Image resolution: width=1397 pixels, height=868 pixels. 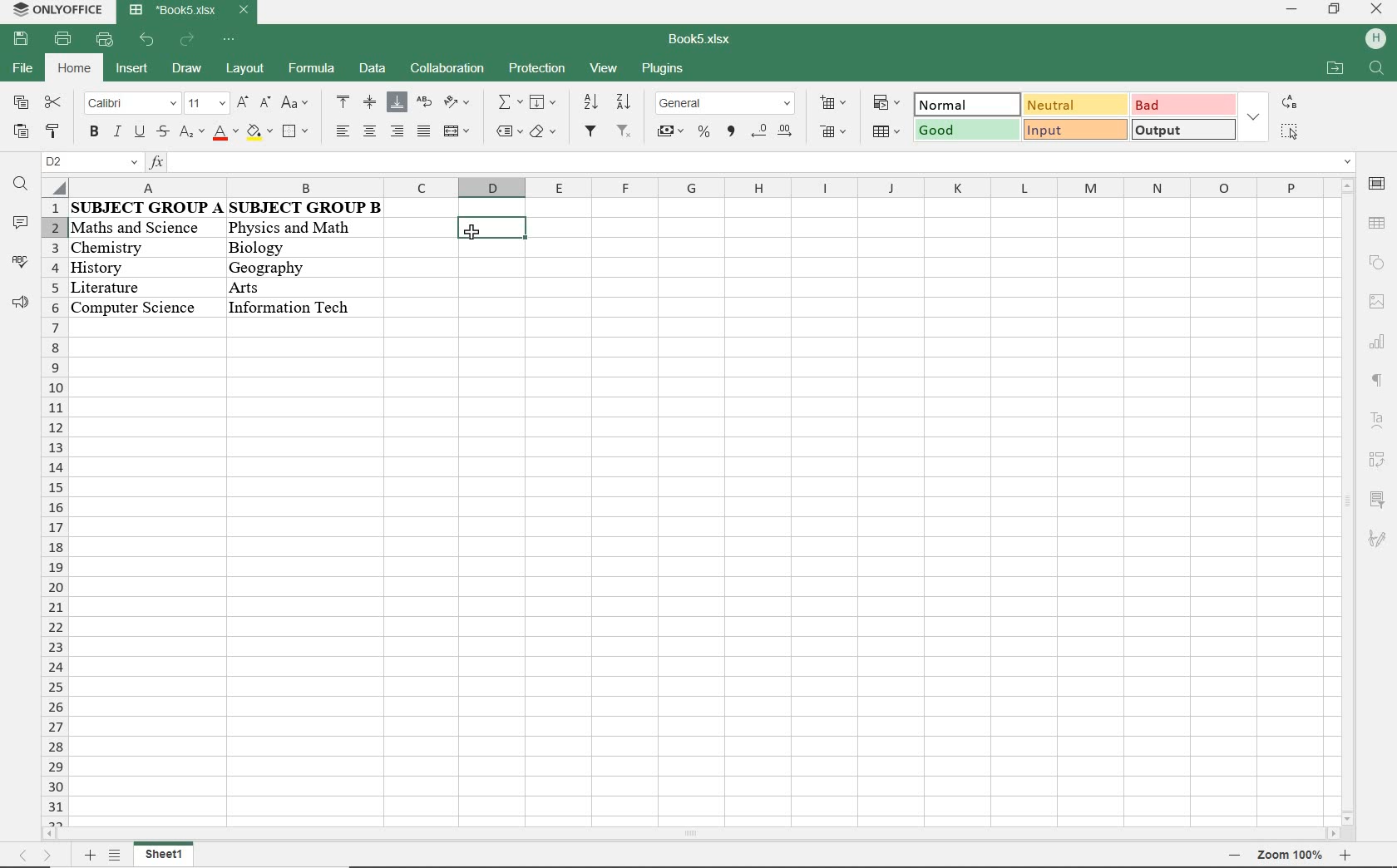 I want to click on restore down, so click(x=1333, y=11).